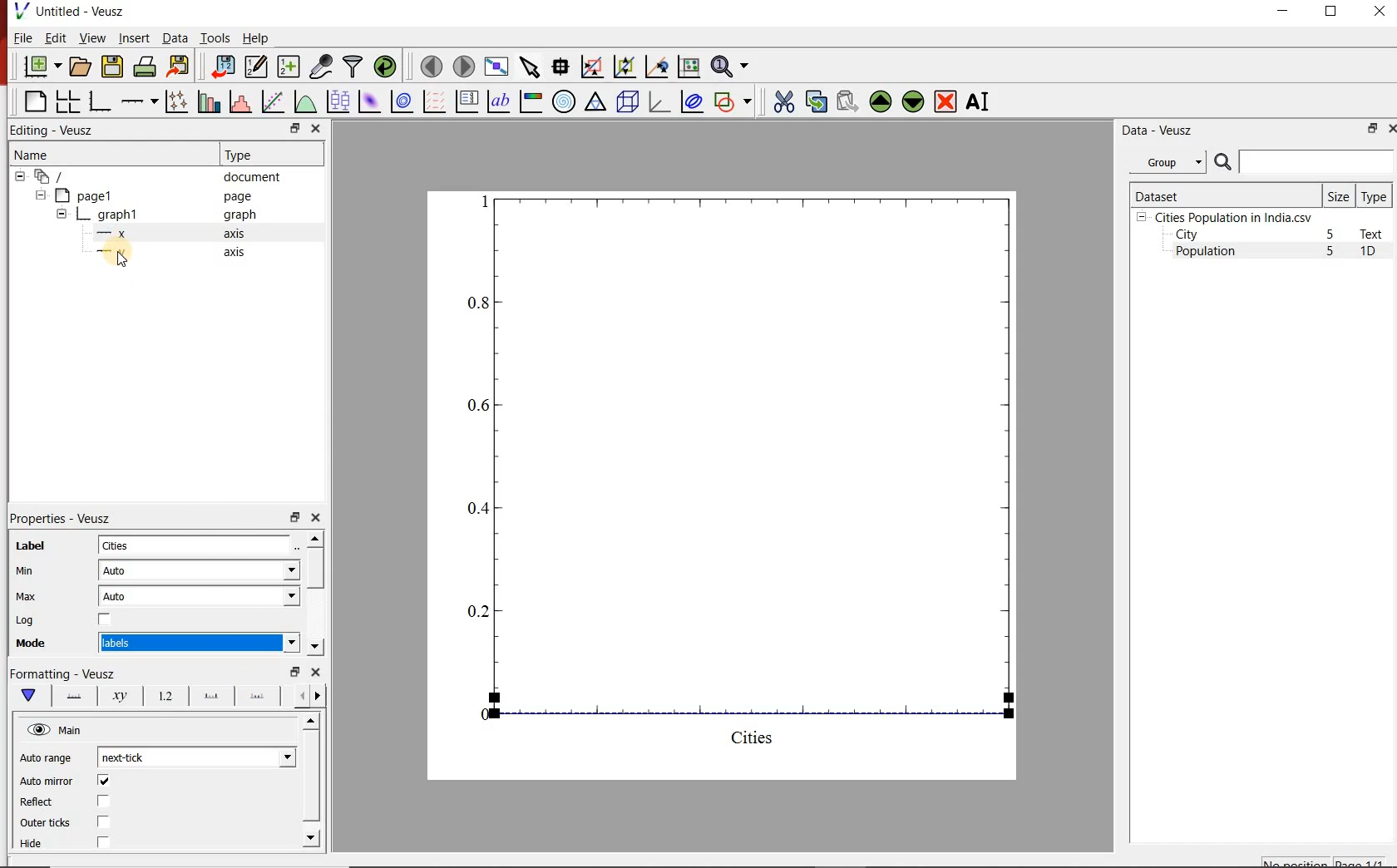  What do you see at coordinates (33, 102) in the screenshot?
I see `blank page` at bounding box center [33, 102].